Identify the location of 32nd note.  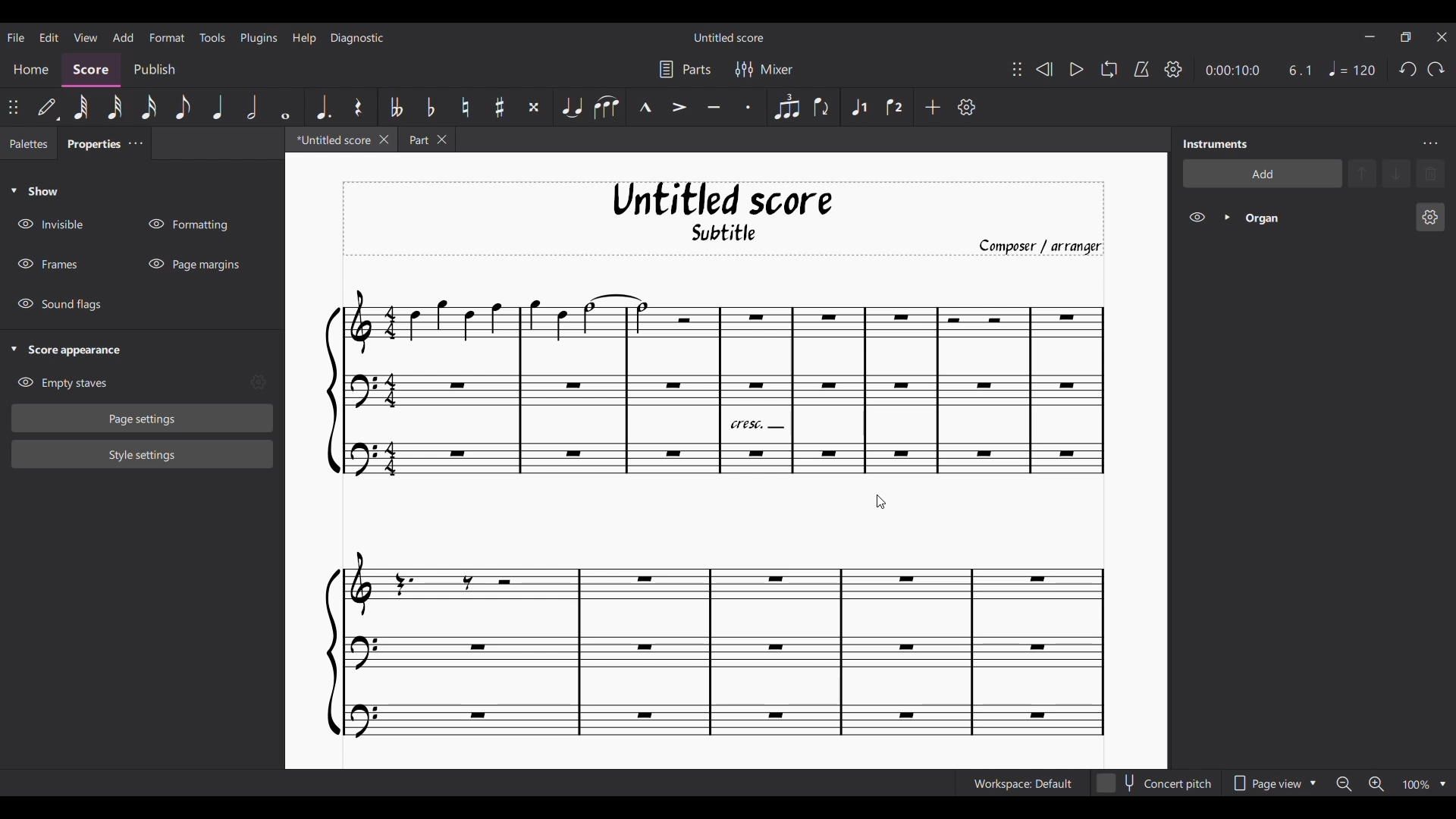
(115, 108).